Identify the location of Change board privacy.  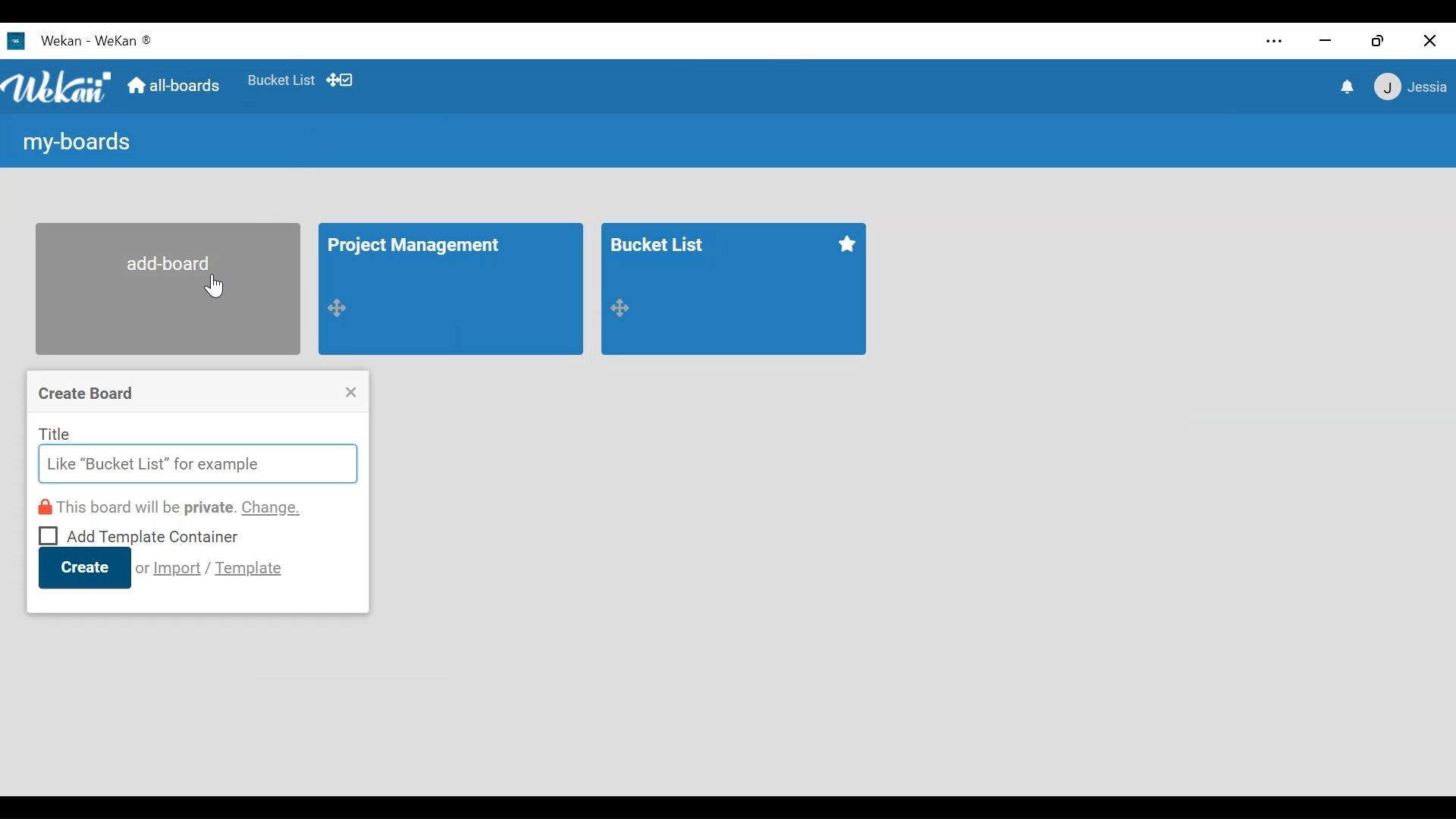
(171, 507).